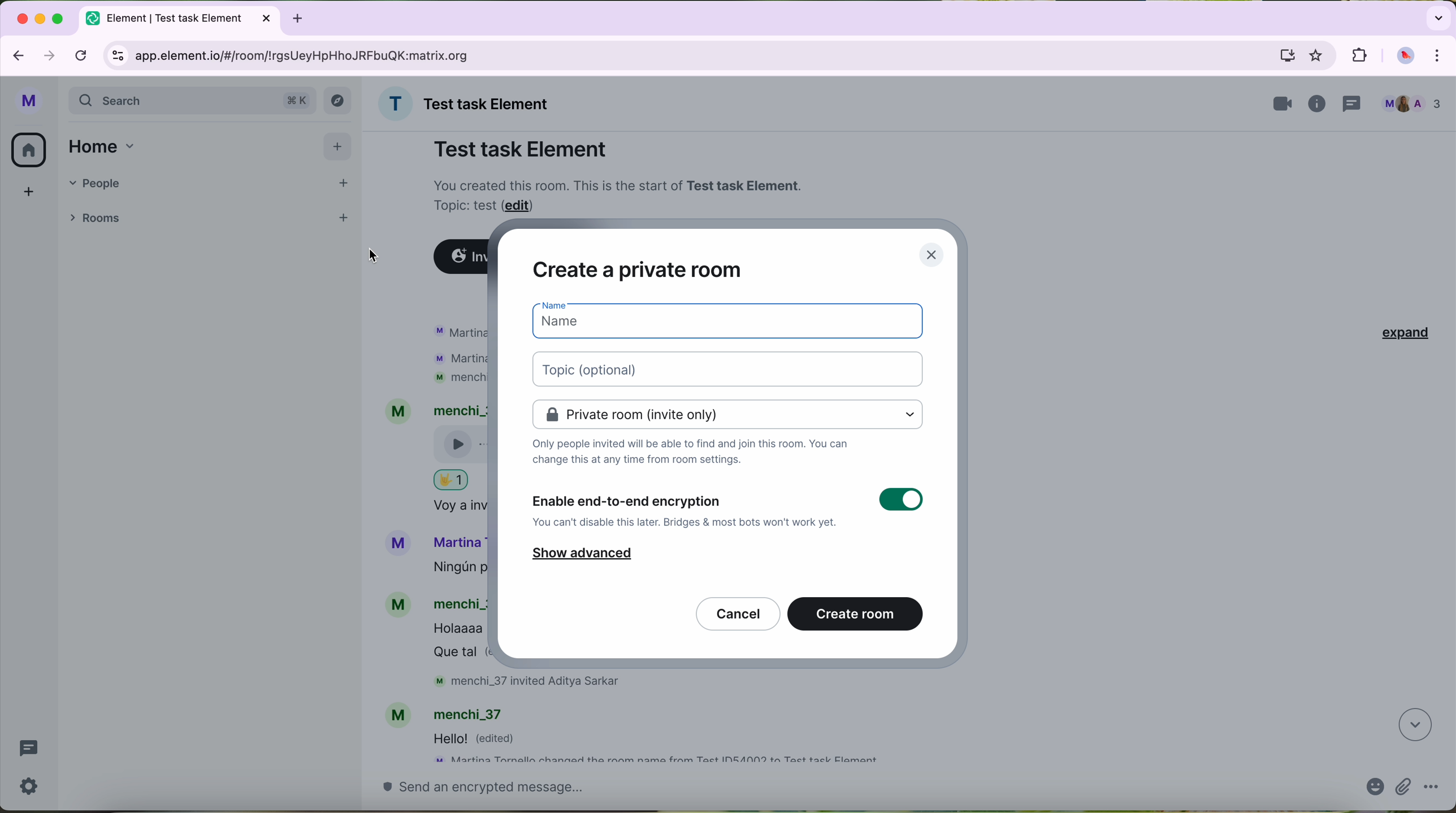  Describe the element at coordinates (691, 455) in the screenshot. I see `notes` at that location.